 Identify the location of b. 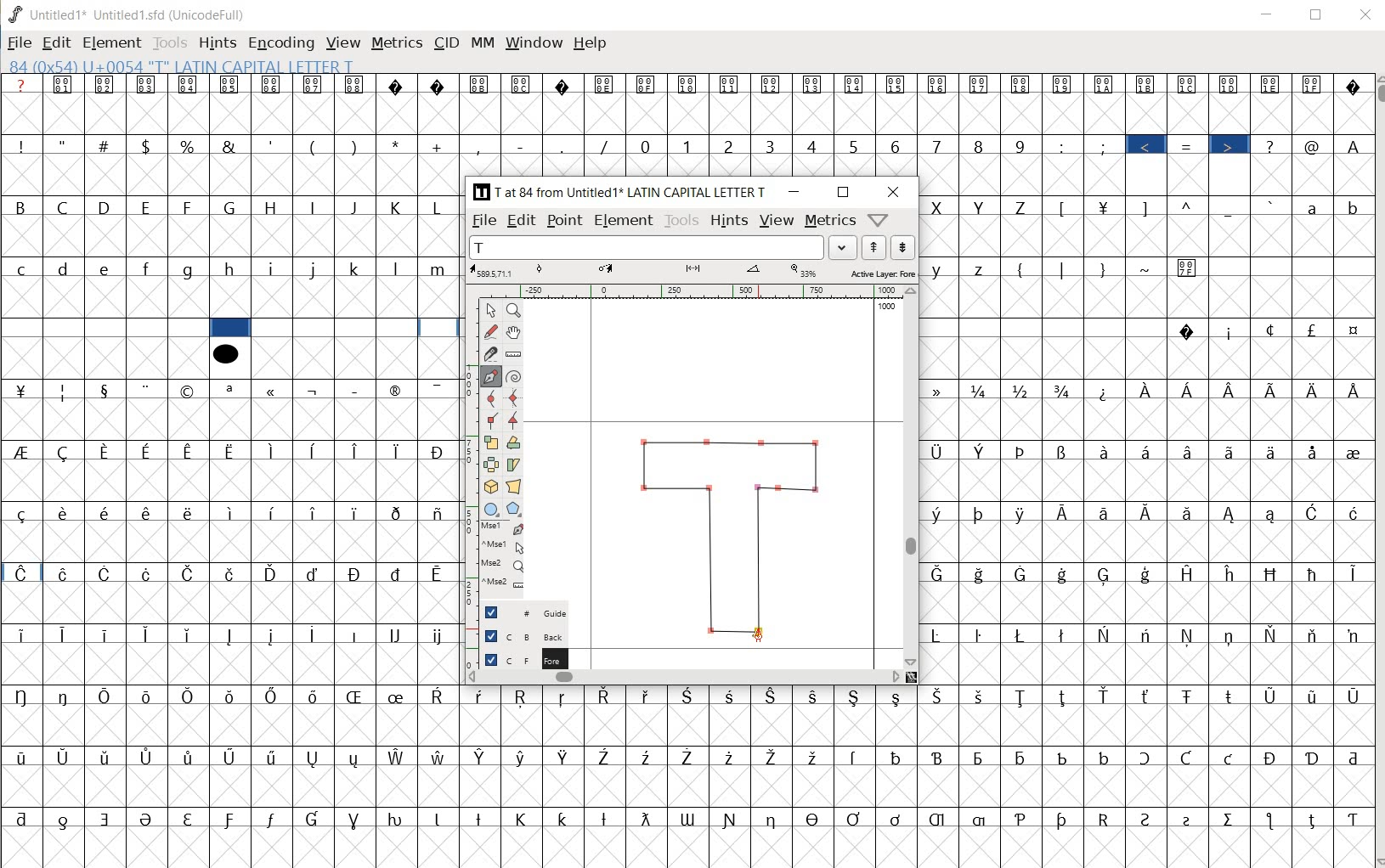
(1350, 206).